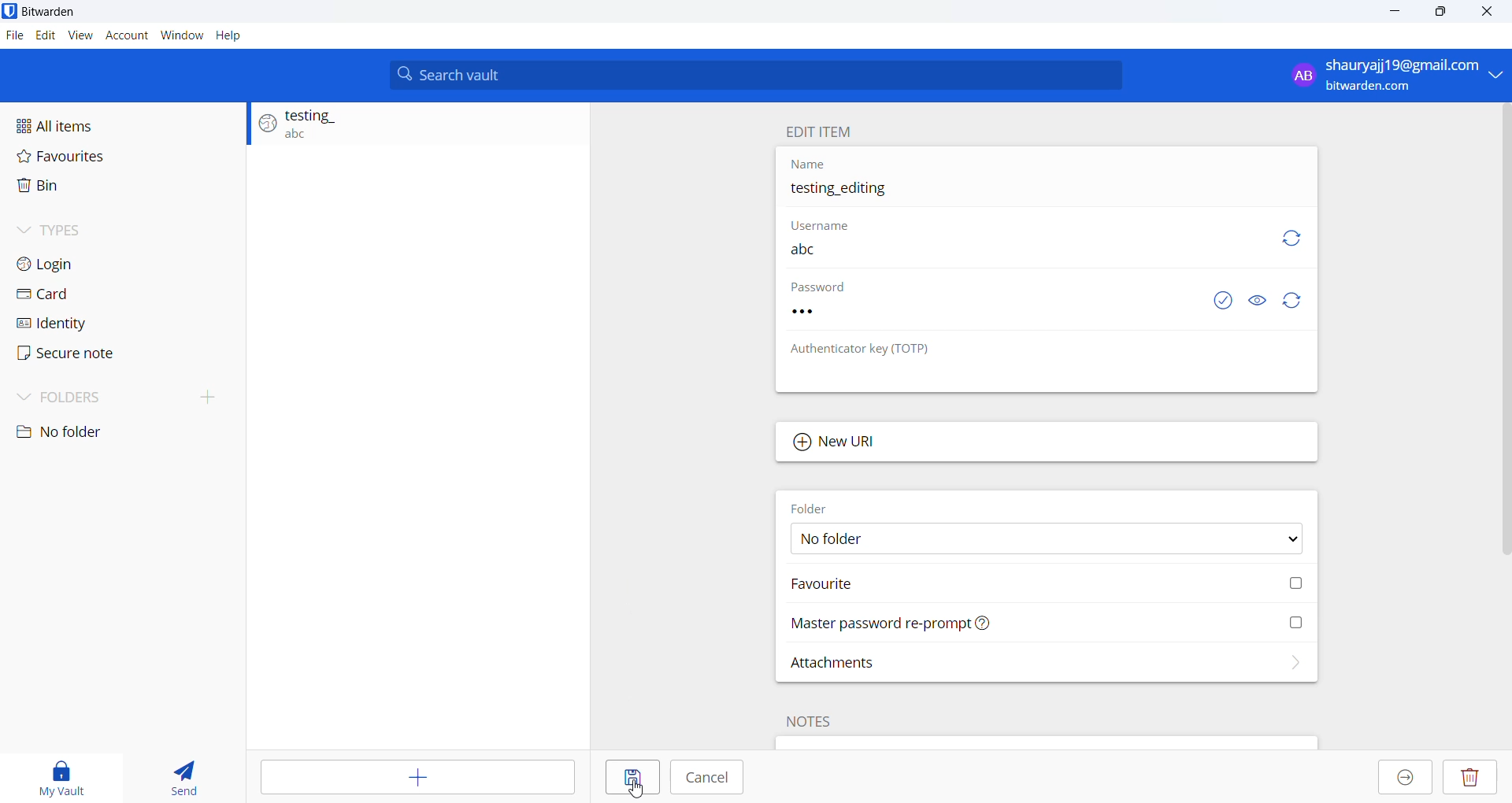 The height and width of the screenshot is (803, 1512). Describe the element at coordinates (1405, 778) in the screenshot. I see `Move to organization` at that location.